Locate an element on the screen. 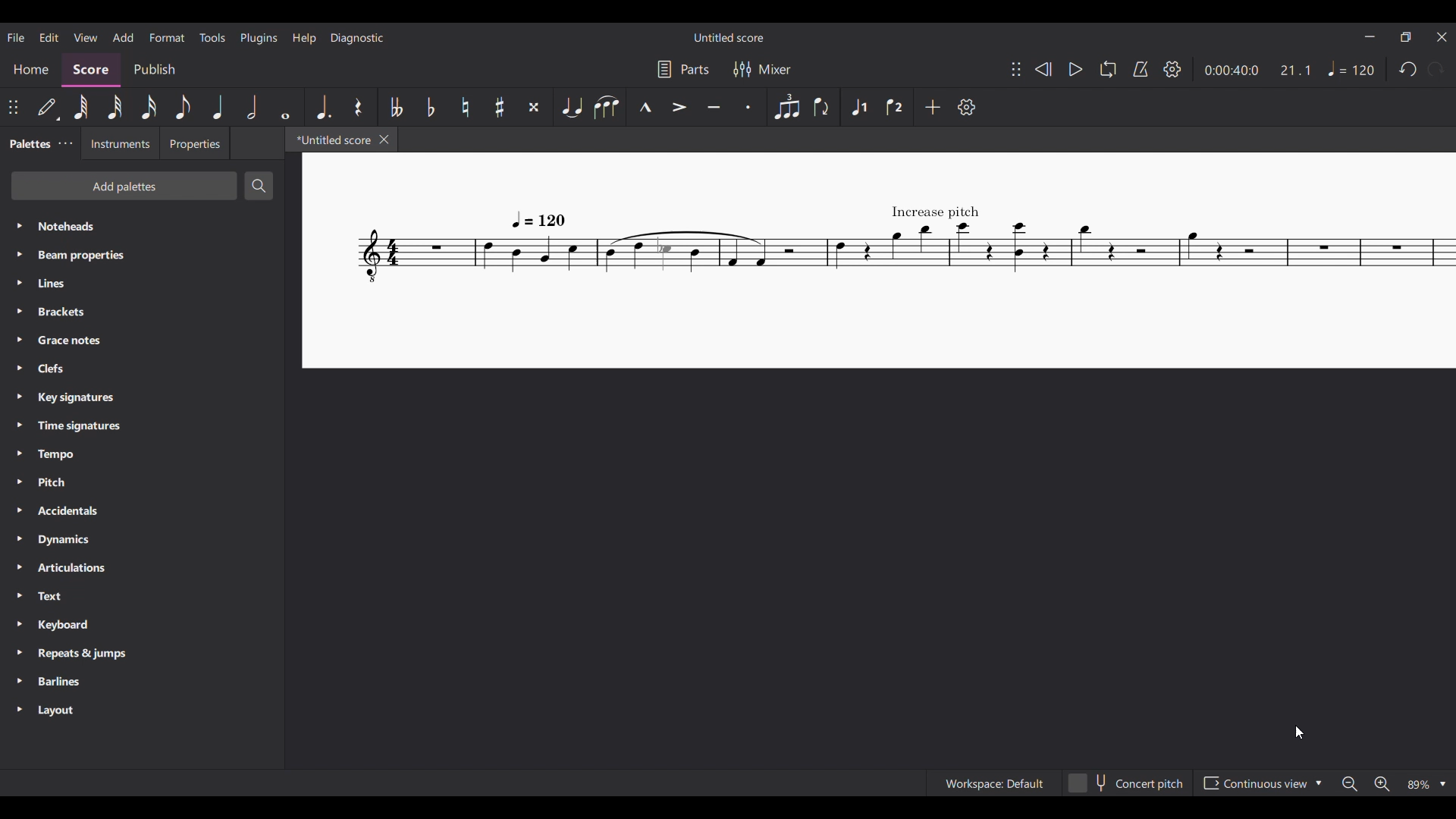 The width and height of the screenshot is (1456, 819). Pitch is located at coordinates (142, 482).